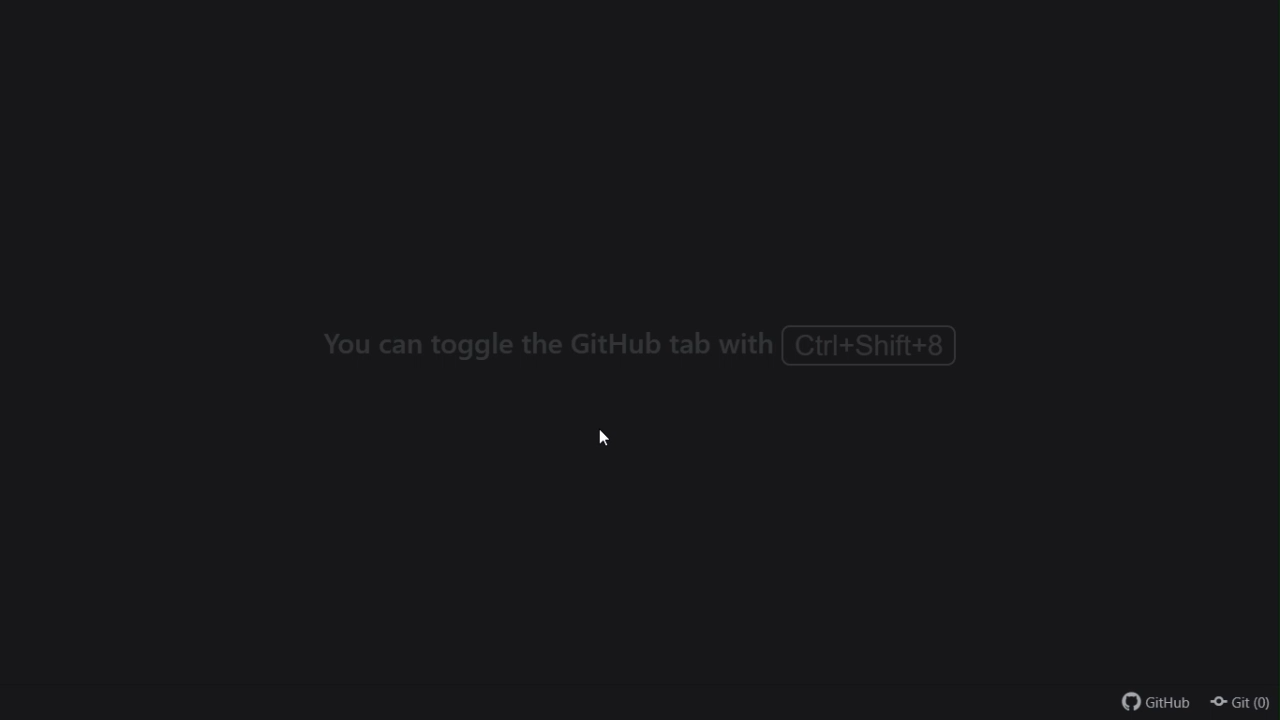 This screenshot has height=720, width=1280. I want to click on text, so click(642, 349).